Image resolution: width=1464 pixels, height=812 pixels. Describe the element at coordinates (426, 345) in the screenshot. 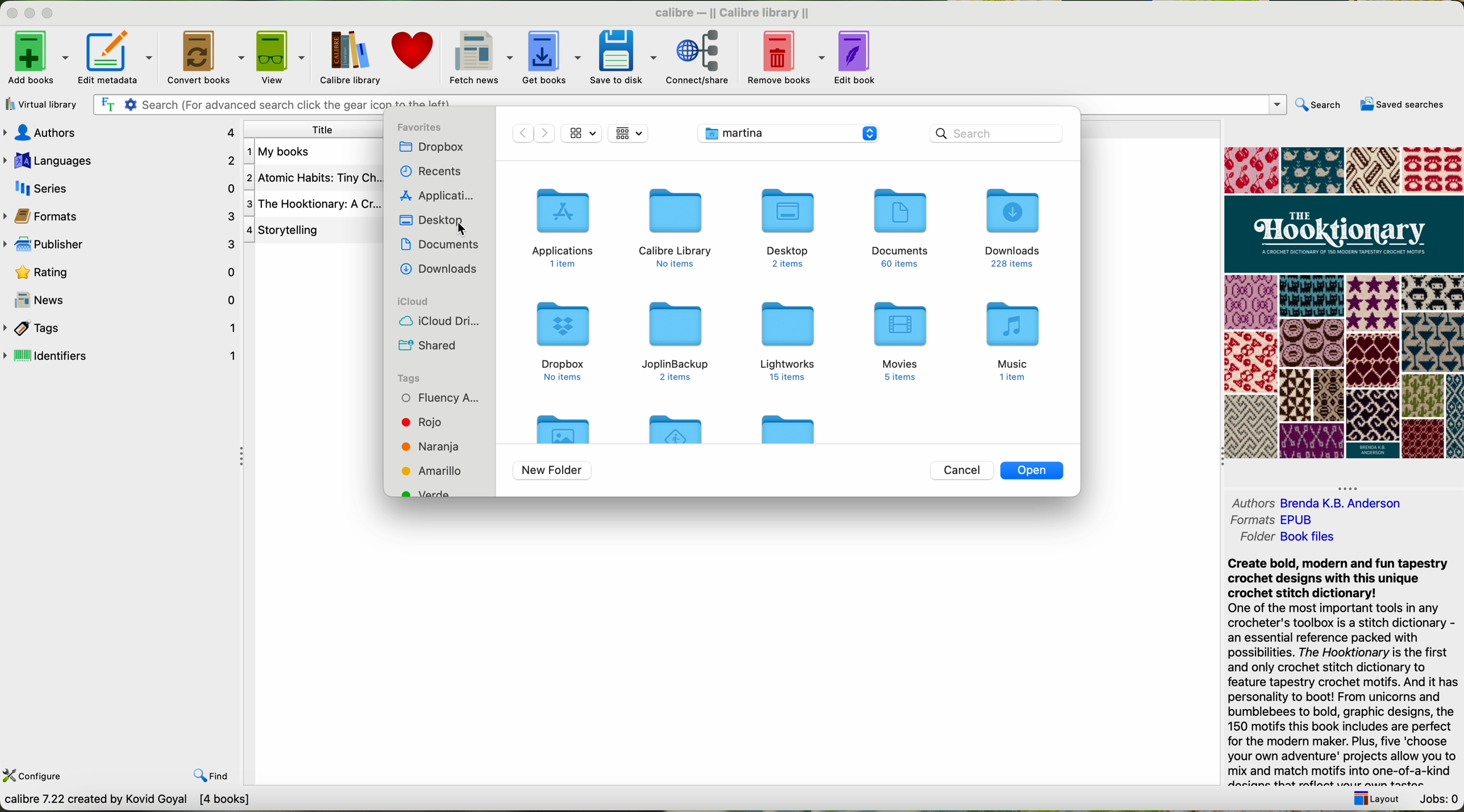

I see `shared` at that location.